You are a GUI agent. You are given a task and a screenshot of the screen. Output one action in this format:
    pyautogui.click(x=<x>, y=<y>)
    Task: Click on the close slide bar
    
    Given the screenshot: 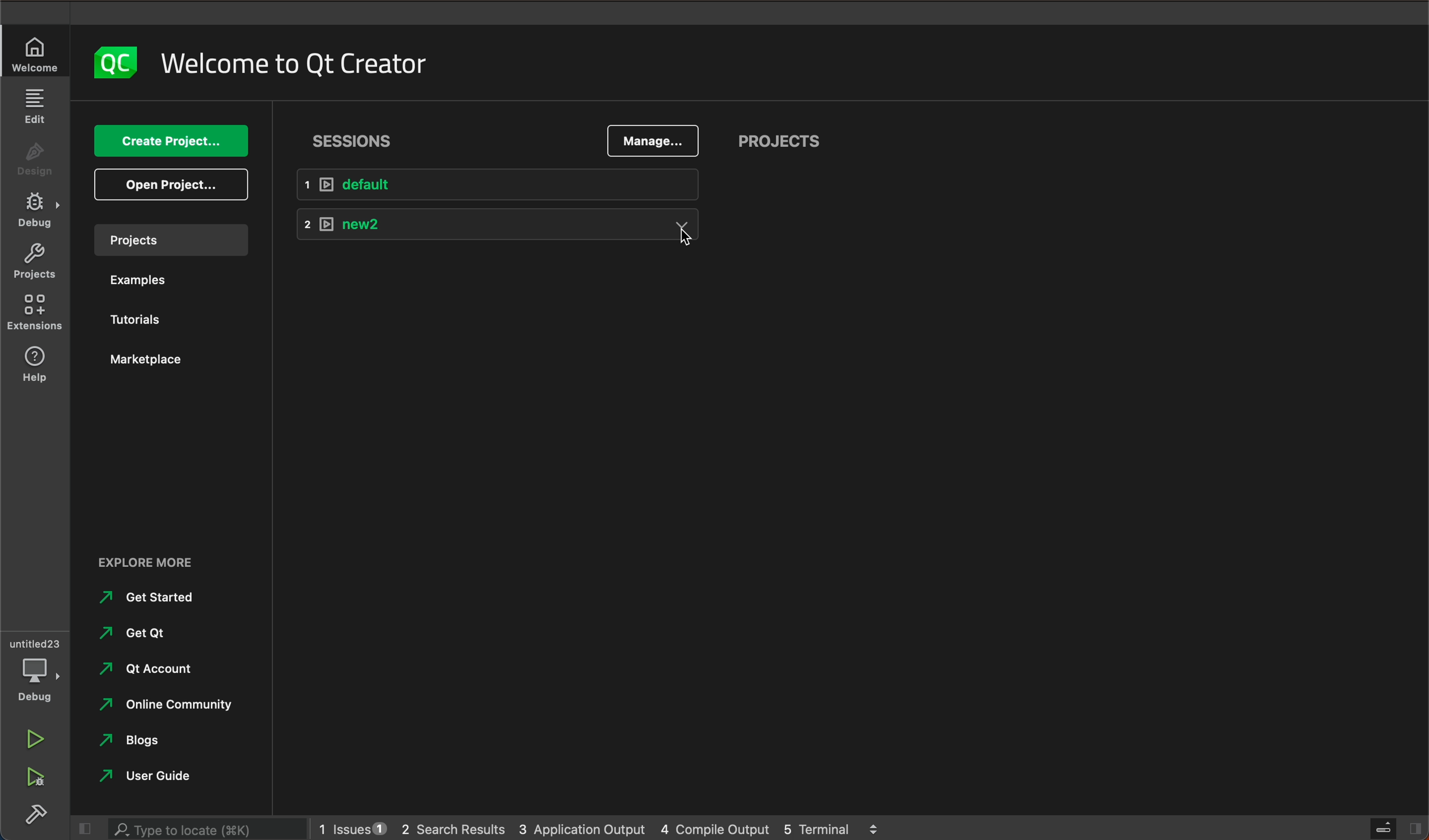 What is the action you would take?
    pyautogui.click(x=1388, y=828)
    